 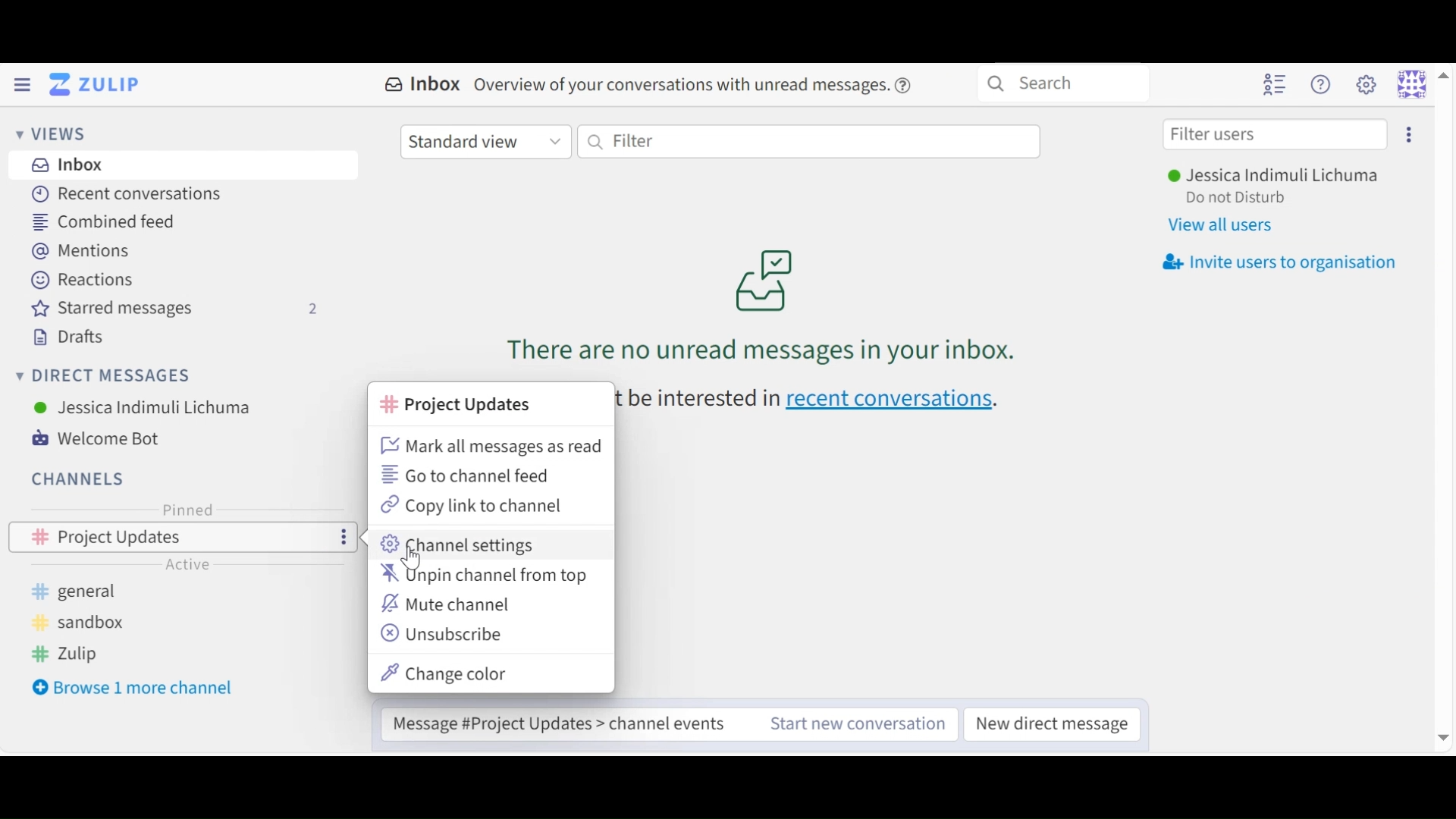 What do you see at coordinates (1441, 78) in the screenshot?
I see `Up` at bounding box center [1441, 78].